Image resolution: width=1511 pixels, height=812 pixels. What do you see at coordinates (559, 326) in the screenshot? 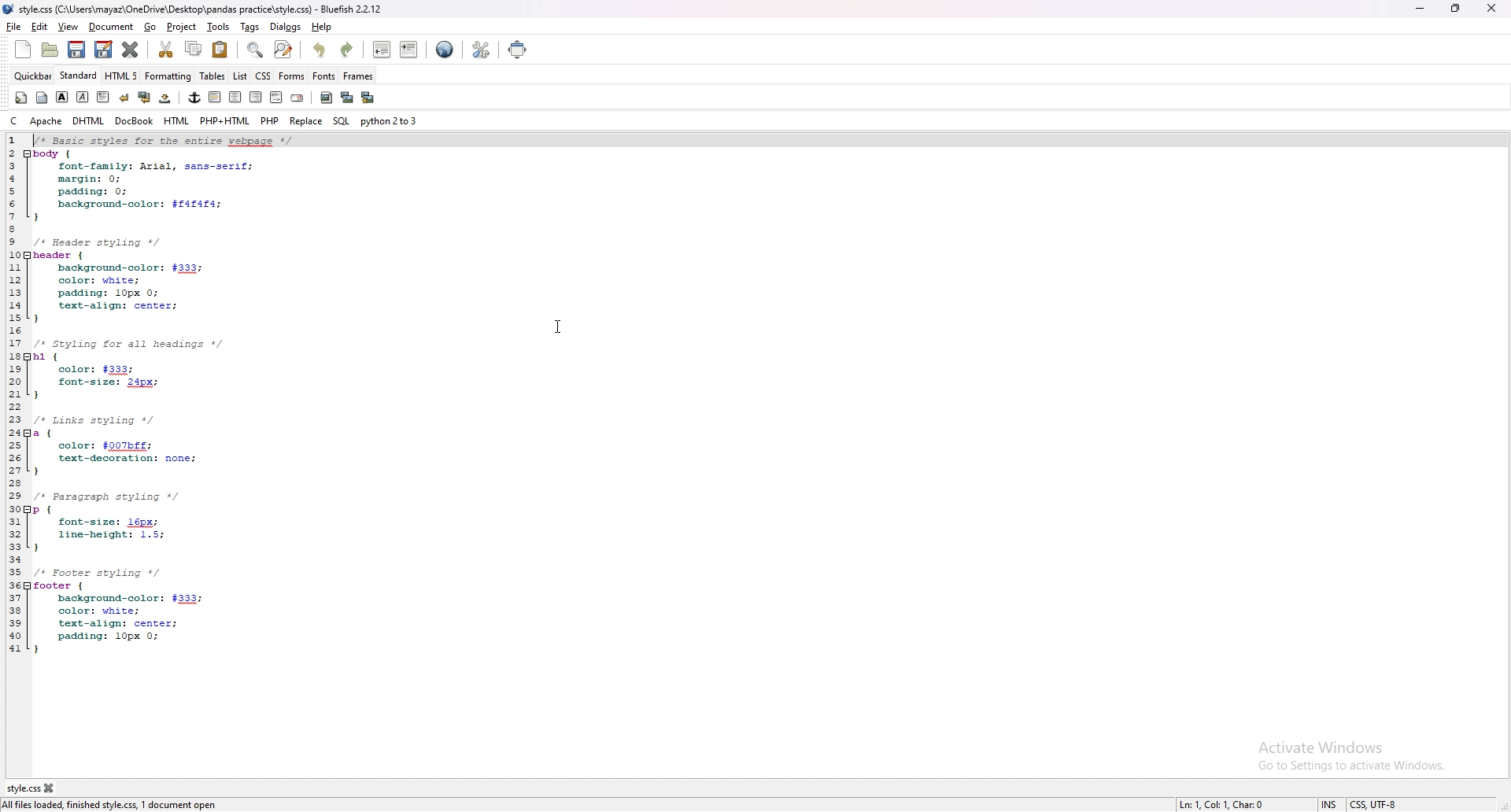
I see `cursor` at bounding box center [559, 326].